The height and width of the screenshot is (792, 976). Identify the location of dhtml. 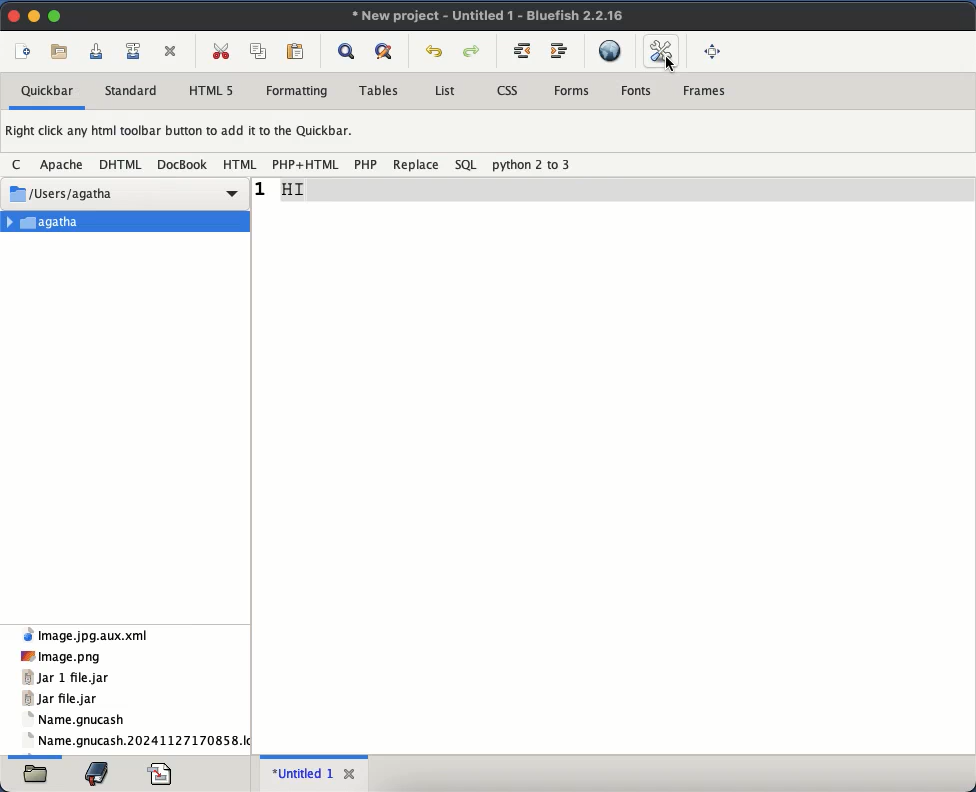
(123, 165).